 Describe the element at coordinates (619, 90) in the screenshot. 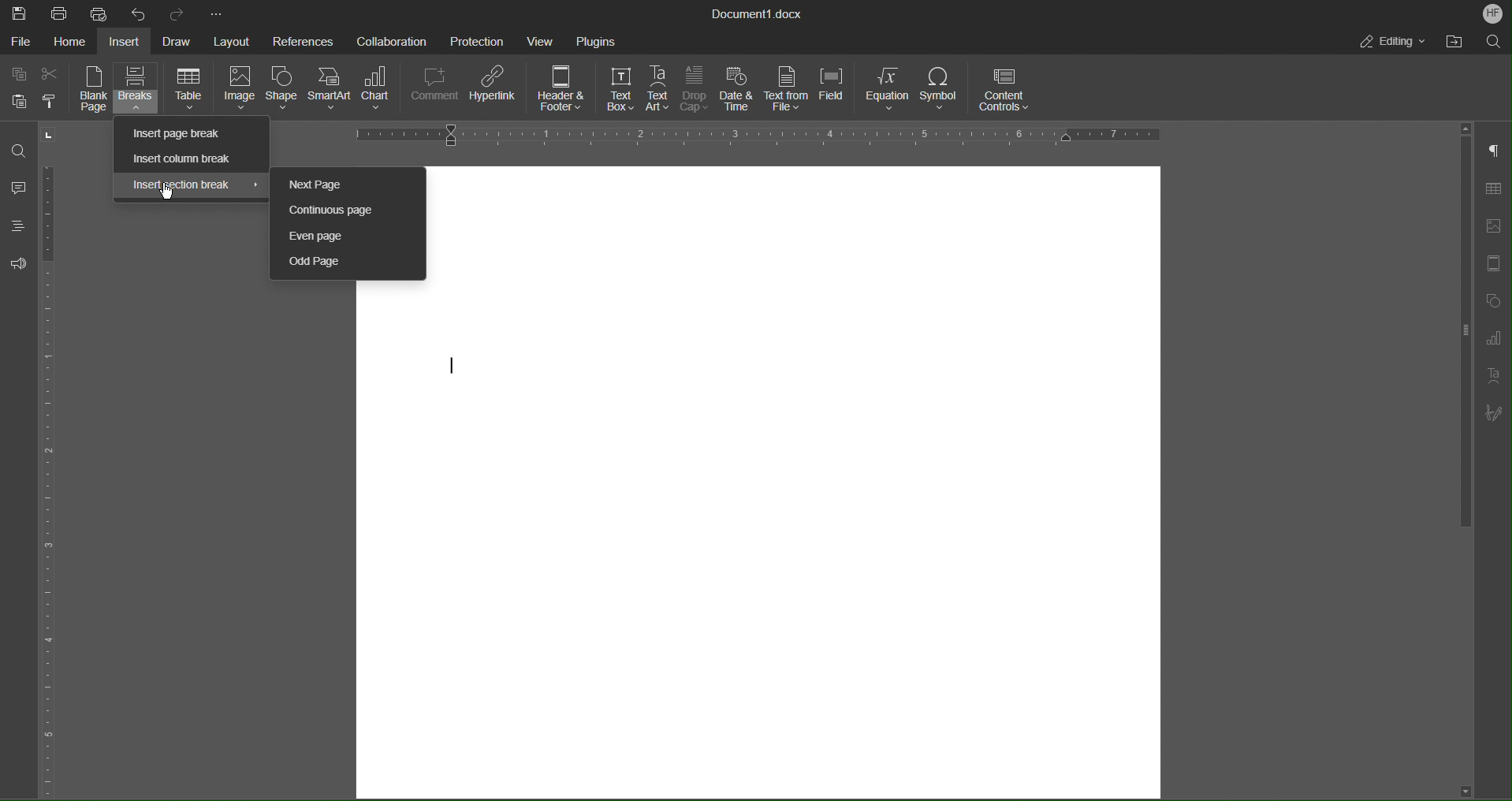

I see `Text Box` at that location.